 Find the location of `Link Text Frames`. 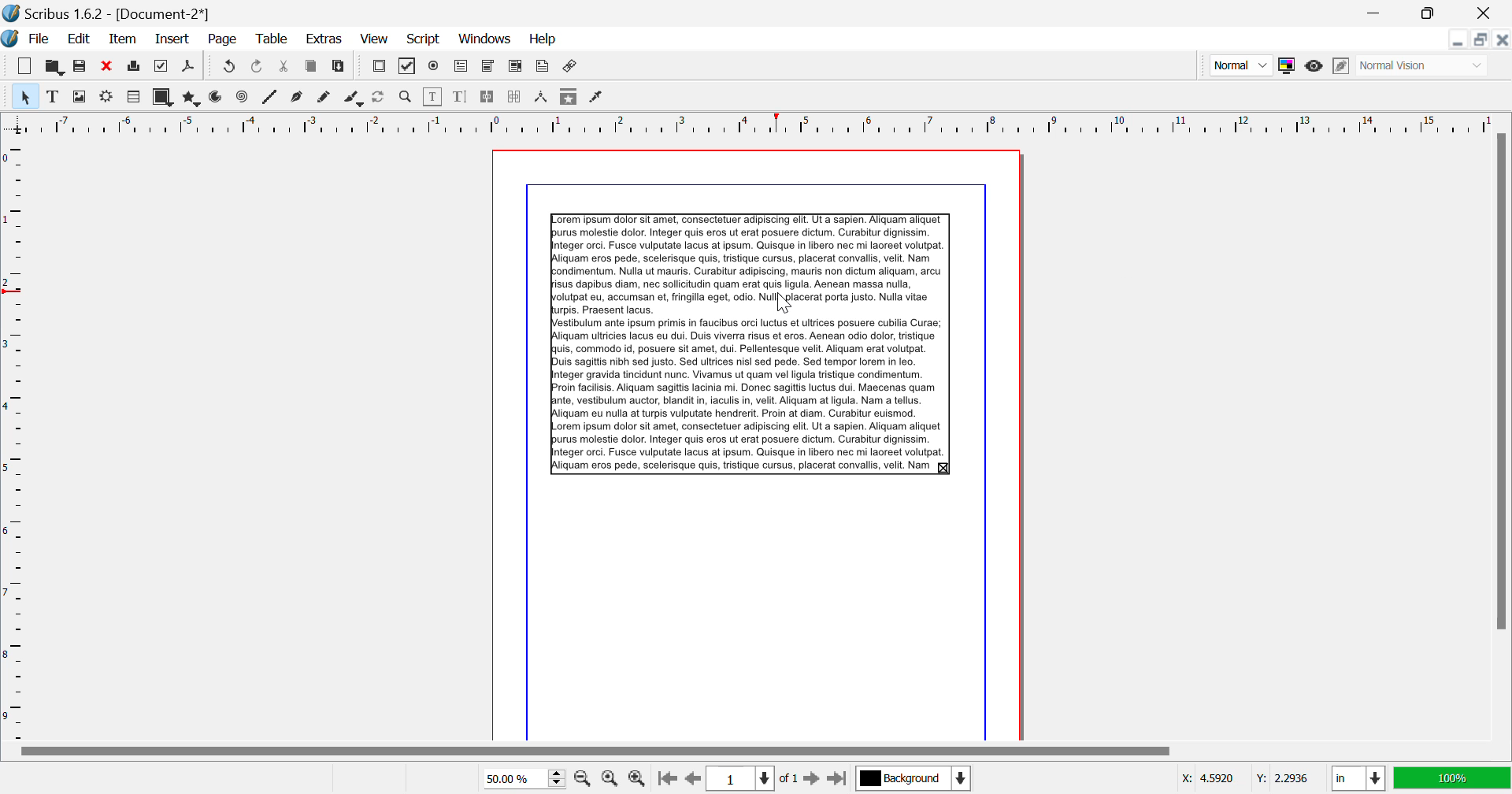

Link Text Frames is located at coordinates (488, 98).